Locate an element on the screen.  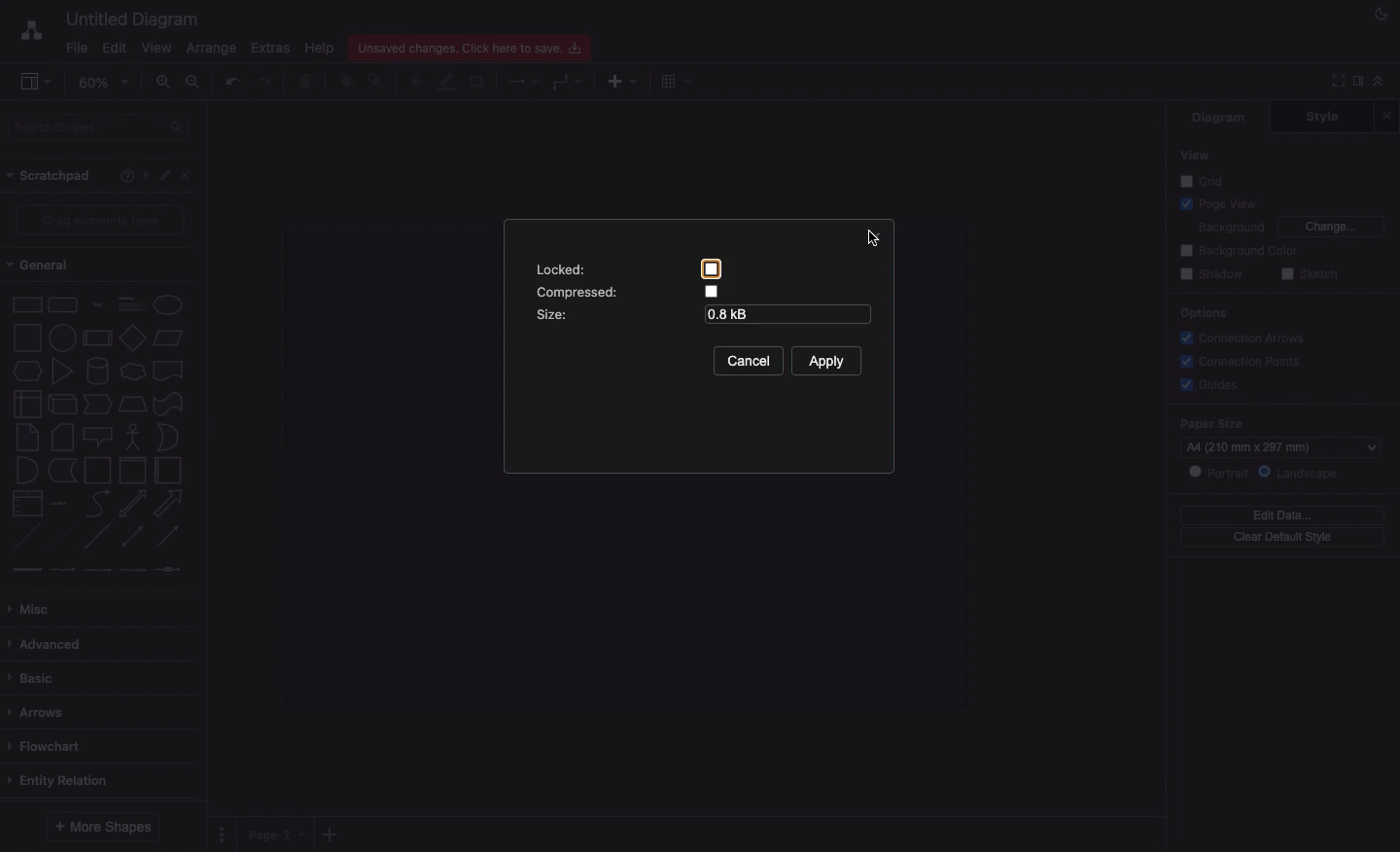
View  is located at coordinates (1194, 156).